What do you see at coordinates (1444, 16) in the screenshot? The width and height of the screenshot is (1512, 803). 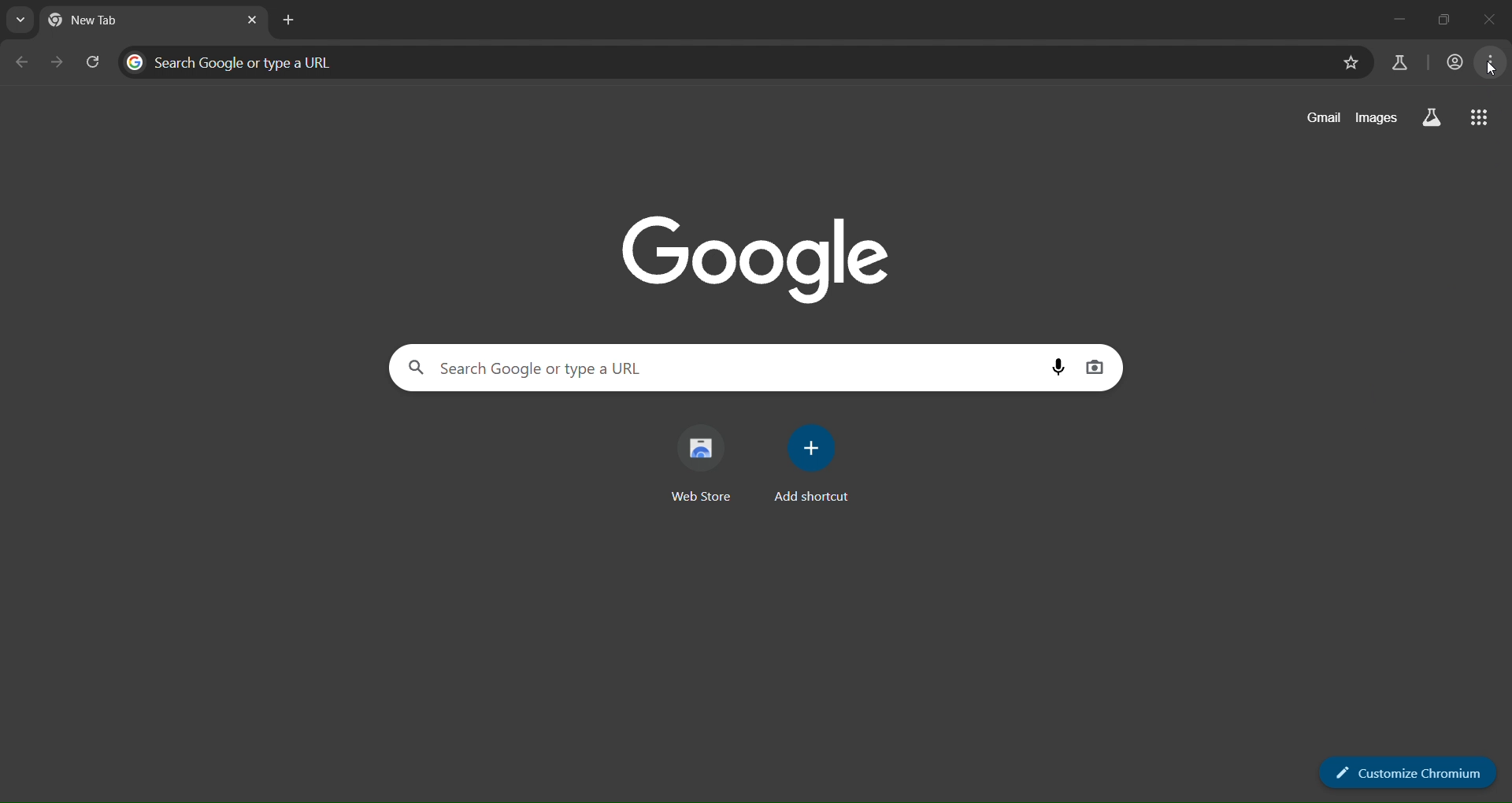 I see `maximize` at bounding box center [1444, 16].